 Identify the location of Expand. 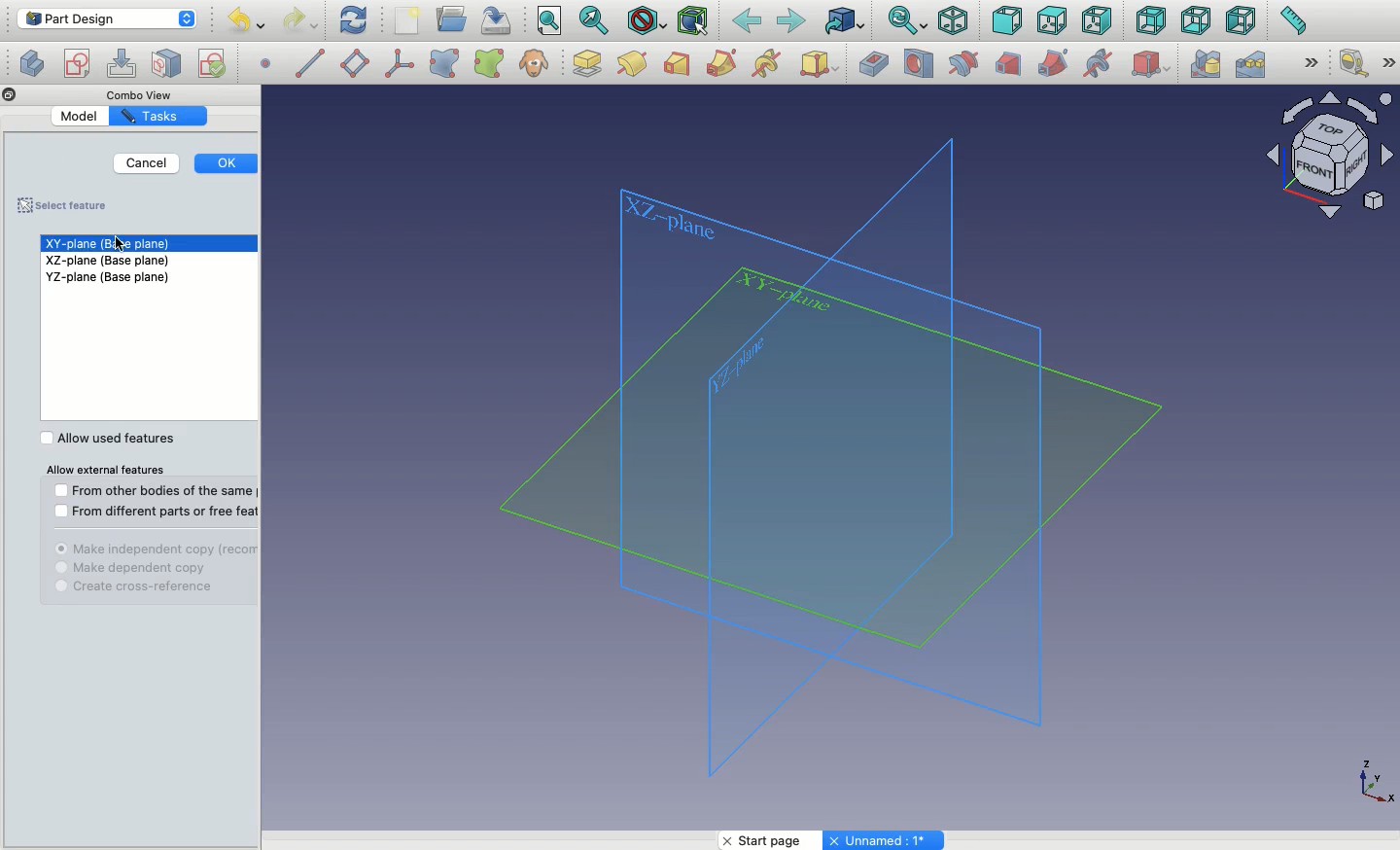
(1388, 63).